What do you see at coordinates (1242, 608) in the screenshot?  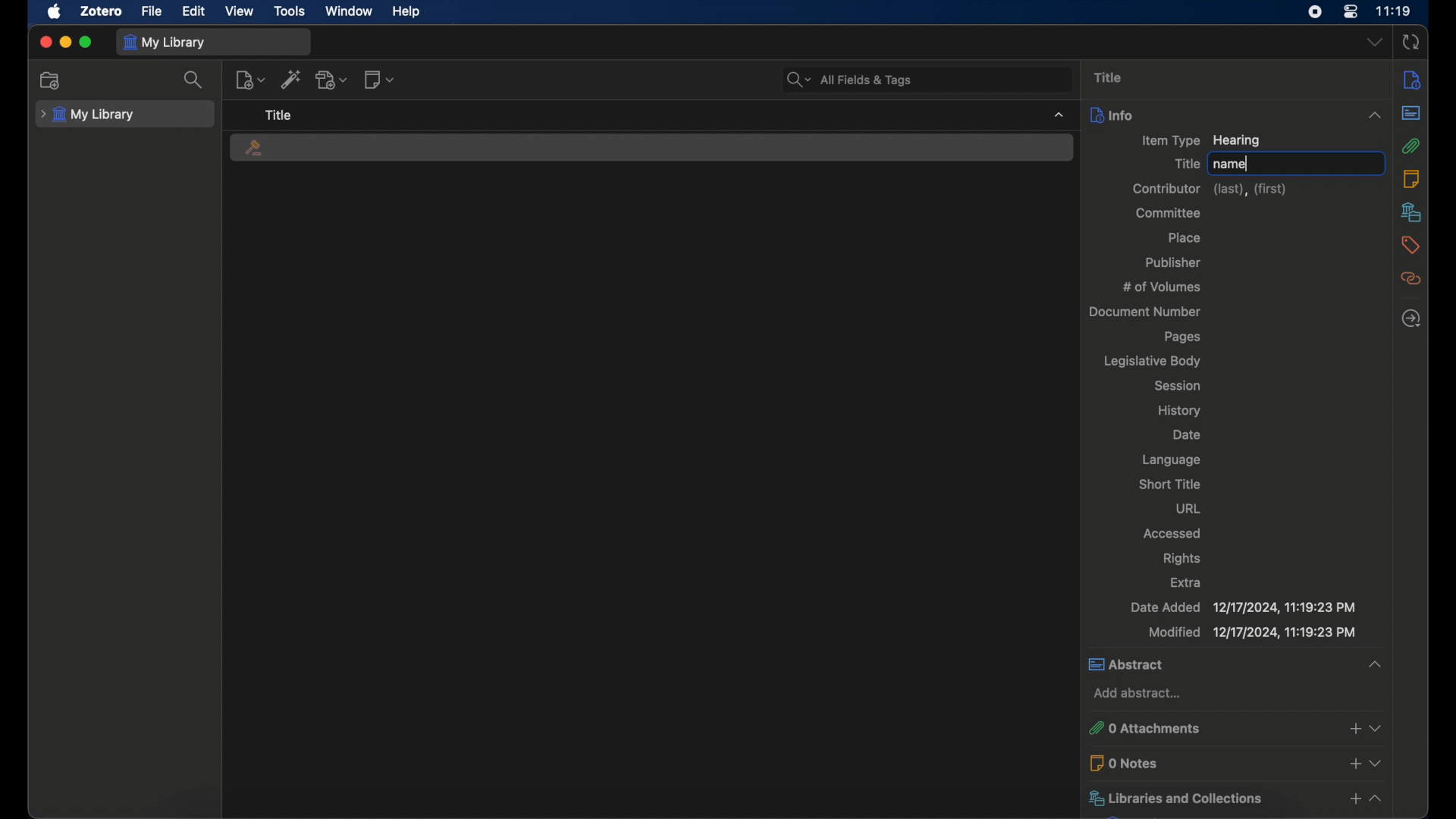 I see `date added` at bounding box center [1242, 608].